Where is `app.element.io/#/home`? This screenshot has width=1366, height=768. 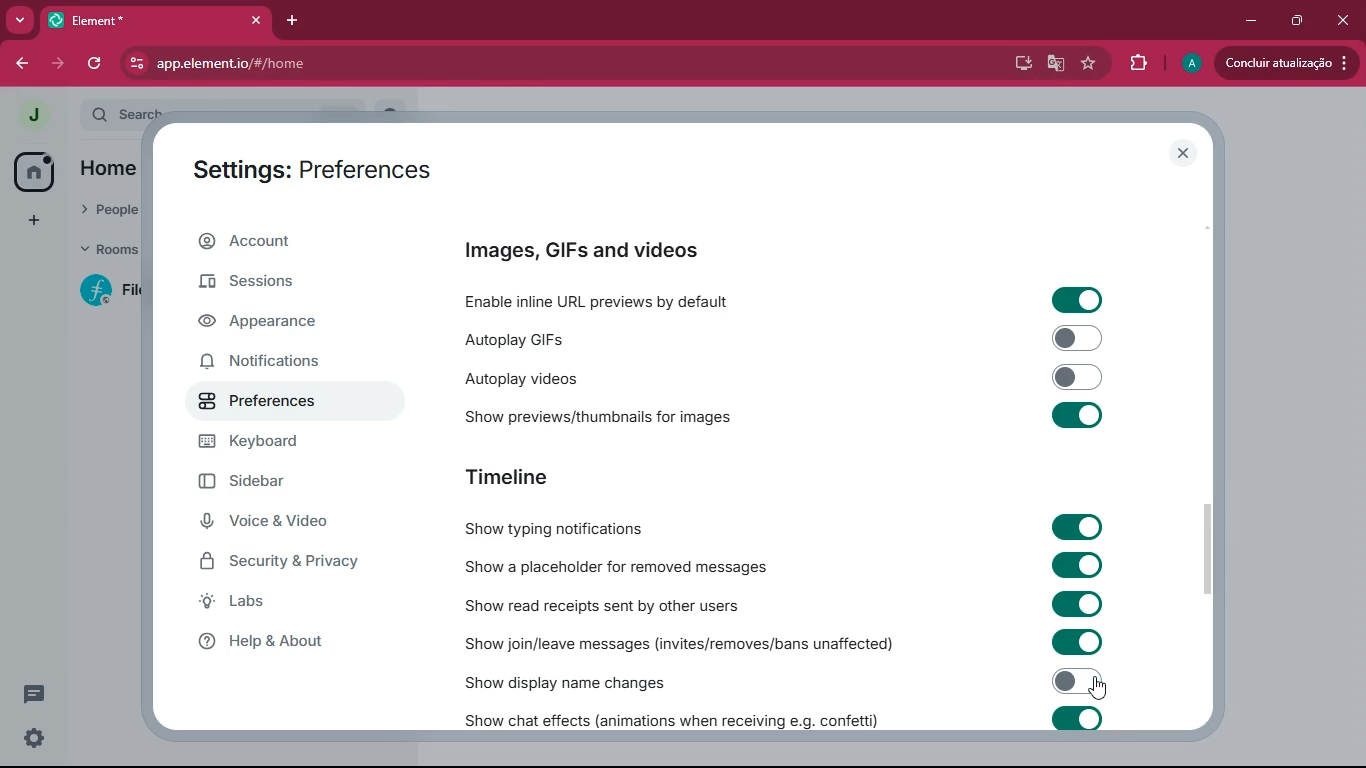
app.element.io/#/home is located at coordinates (355, 65).